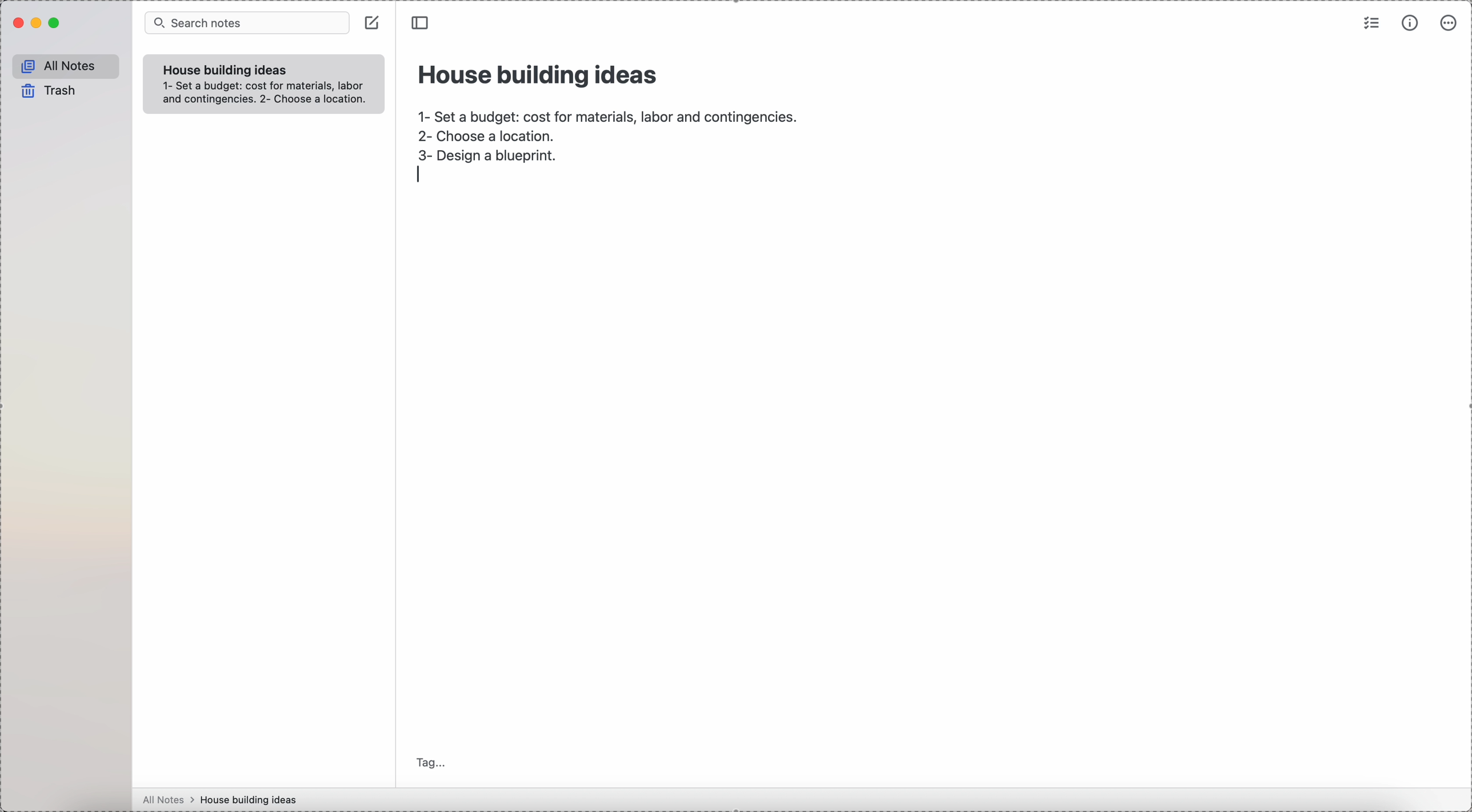 The image size is (1472, 812). What do you see at coordinates (606, 113) in the screenshot?
I see `1-set a budget:cost for material,labor and contingencies` at bounding box center [606, 113].